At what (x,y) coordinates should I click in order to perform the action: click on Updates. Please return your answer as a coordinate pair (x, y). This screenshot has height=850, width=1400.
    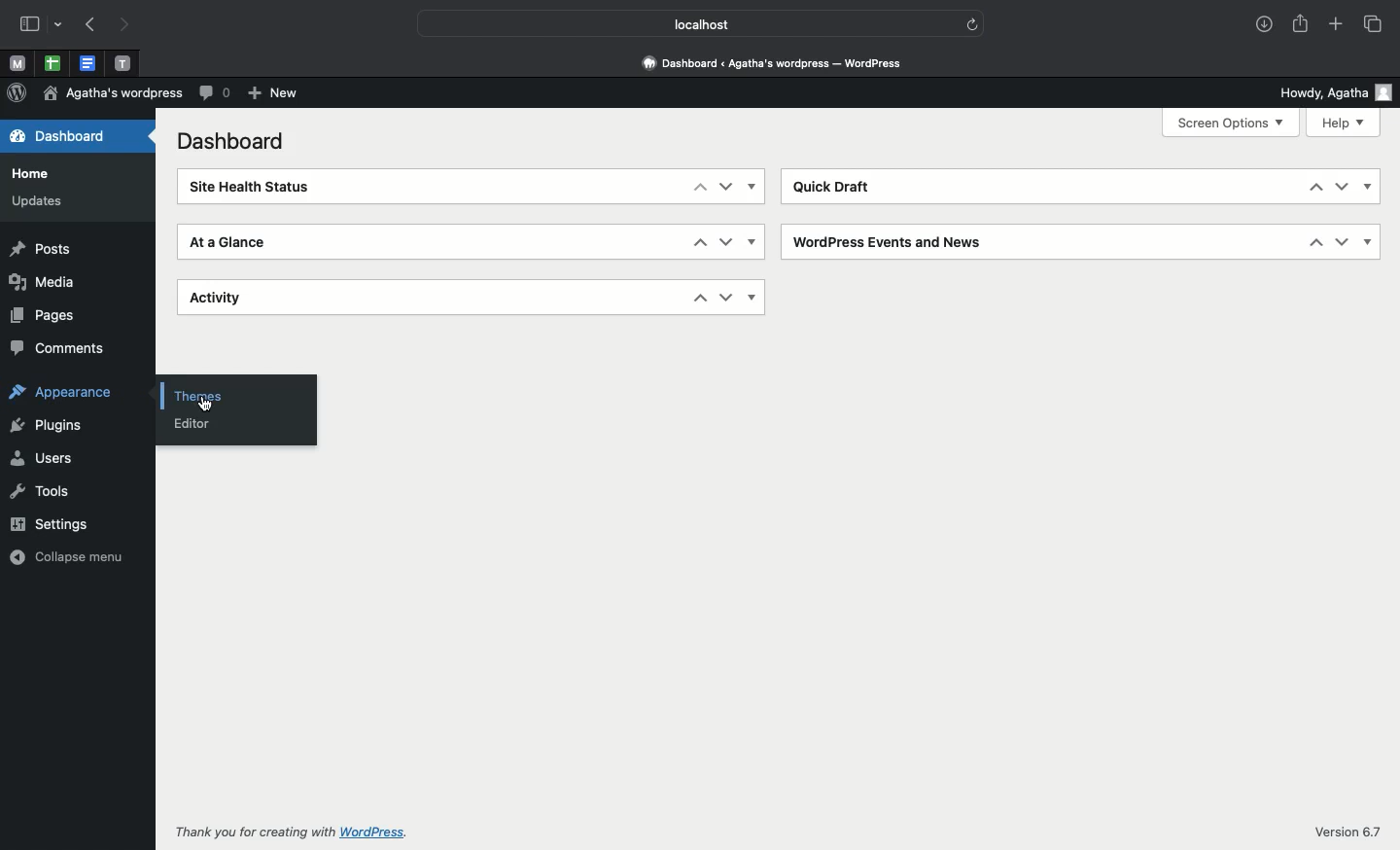
    Looking at the image, I should click on (35, 201).